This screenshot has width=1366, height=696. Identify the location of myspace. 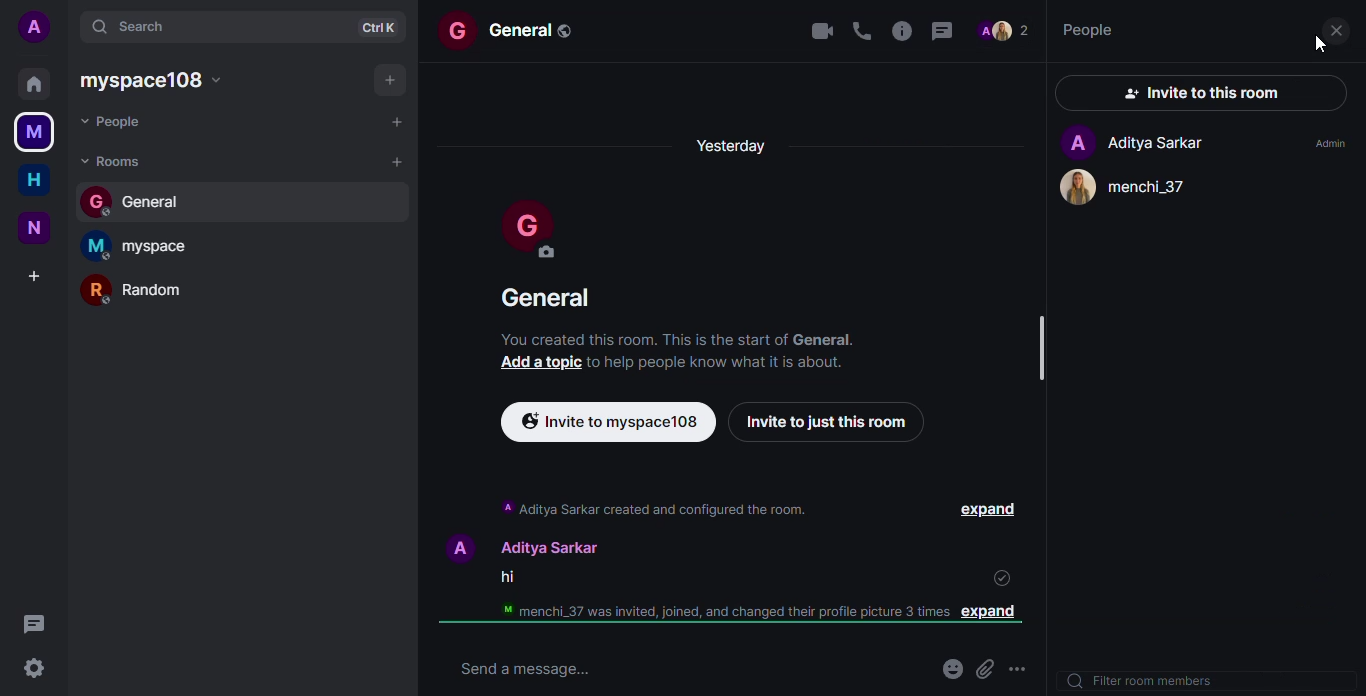
(35, 131).